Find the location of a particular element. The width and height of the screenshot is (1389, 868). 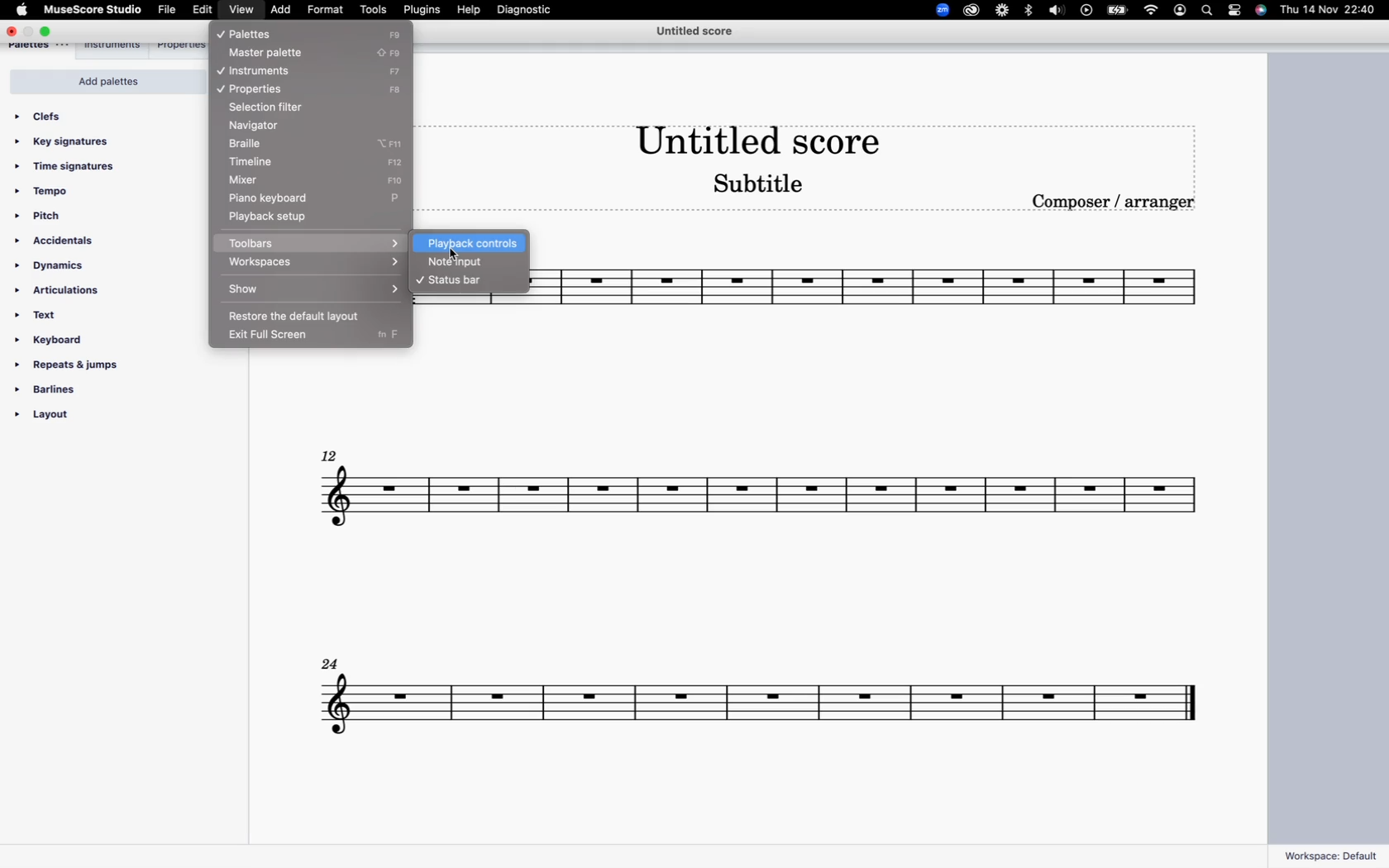

fn F is located at coordinates (389, 338).